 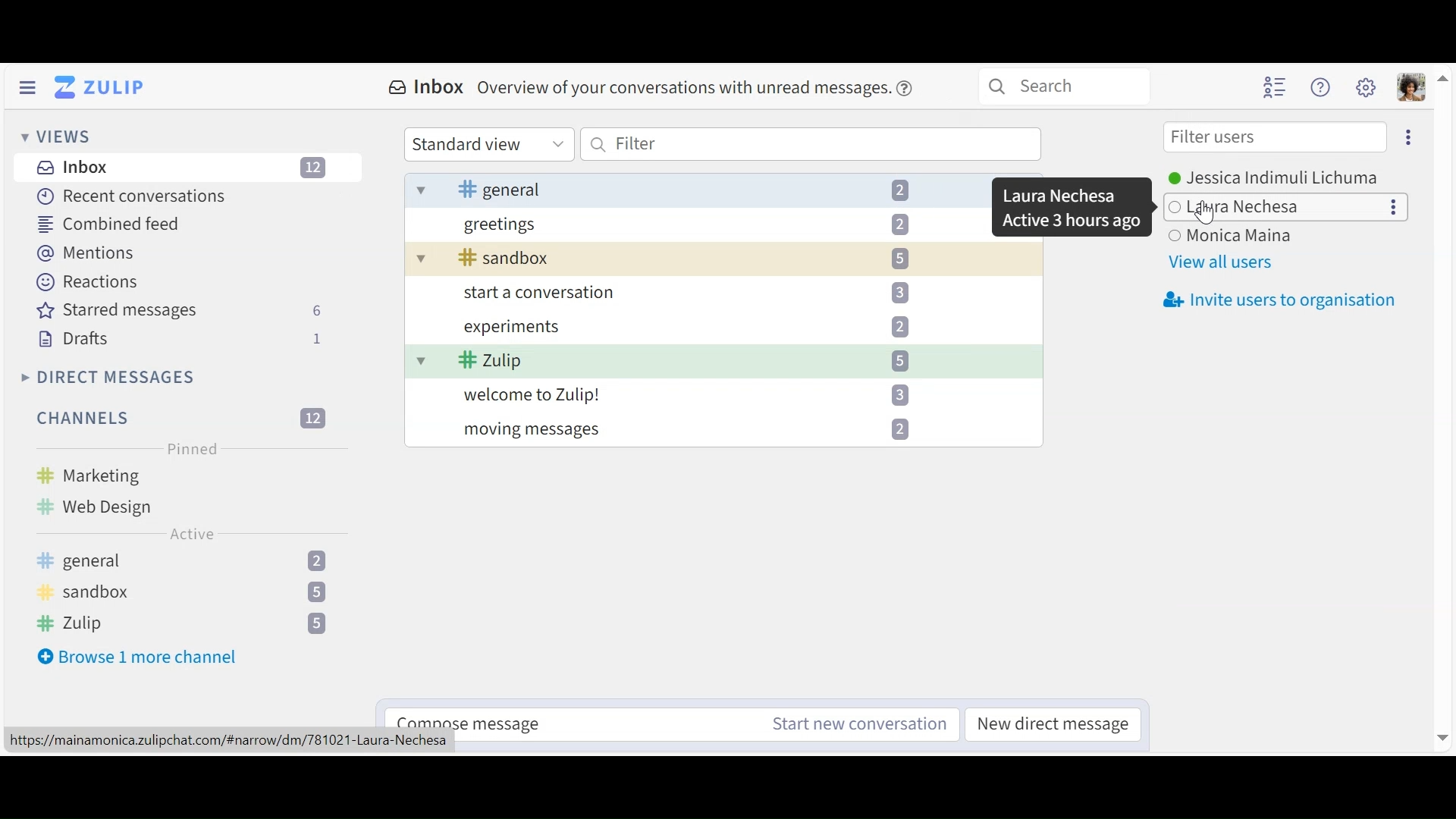 I want to click on Filter Channels, so click(x=180, y=419).